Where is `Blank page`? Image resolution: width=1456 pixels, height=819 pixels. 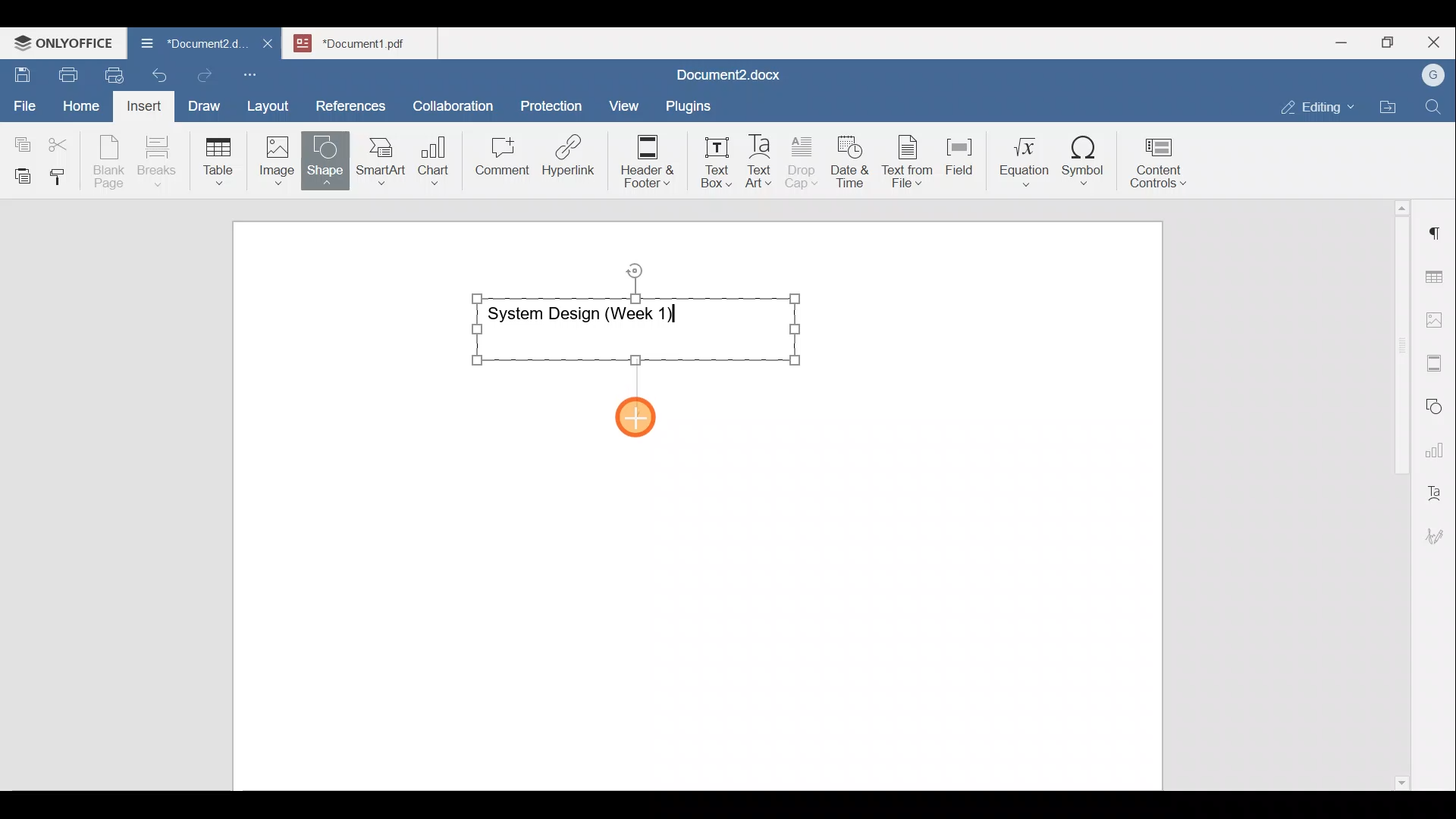
Blank page is located at coordinates (111, 162).